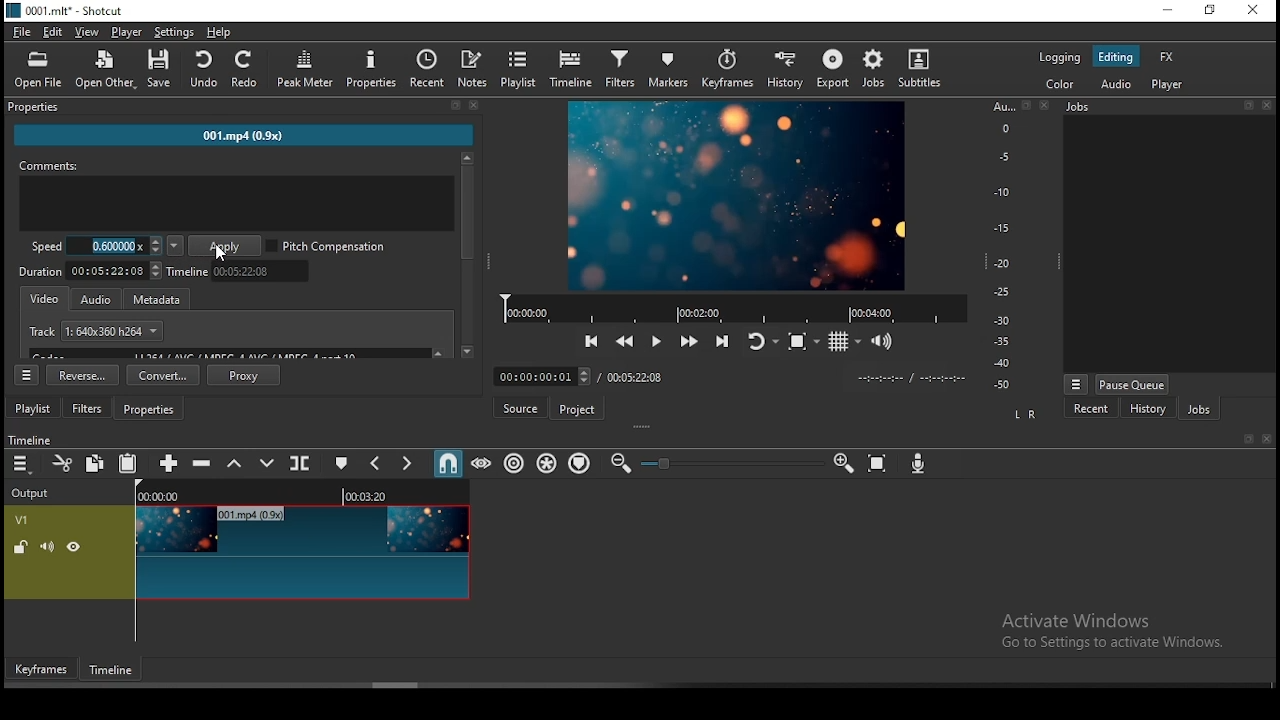 The width and height of the screenshot is (1280, 720). What do you see at coordinates (242, 375) in the screenshot?
I see `proxy` at bounding box center [242, 375].